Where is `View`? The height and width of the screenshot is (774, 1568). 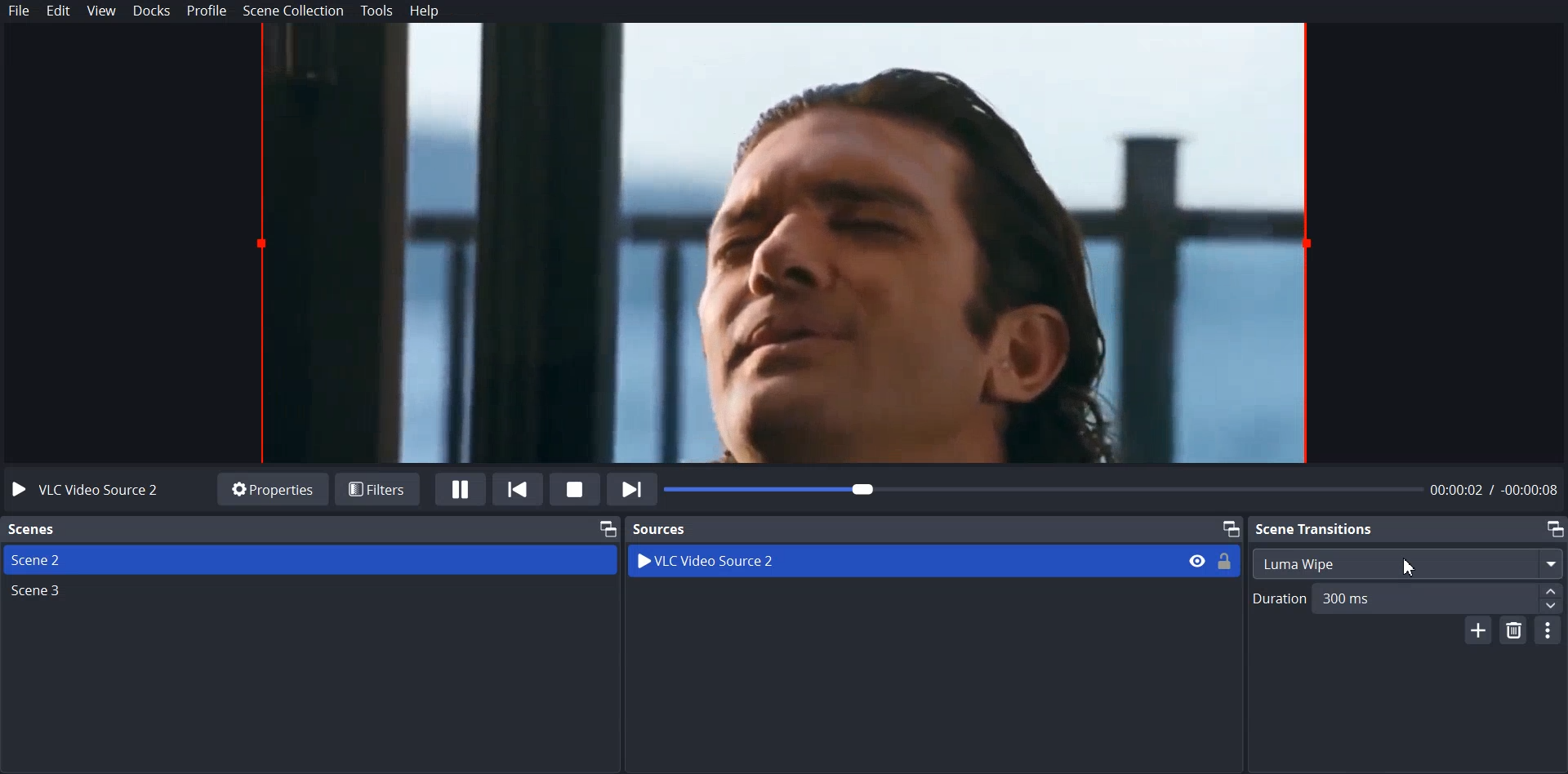
View is located at coordinates (102, 11).